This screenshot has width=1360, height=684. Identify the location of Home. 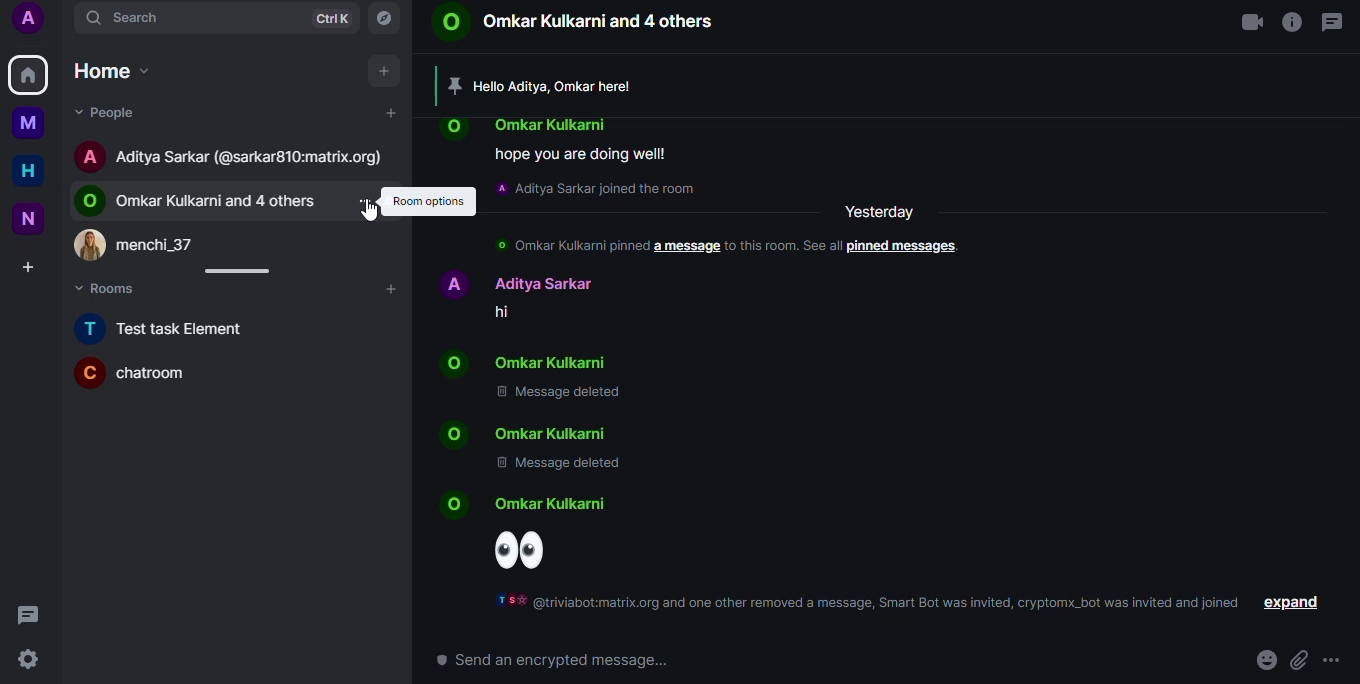
(114, 70).